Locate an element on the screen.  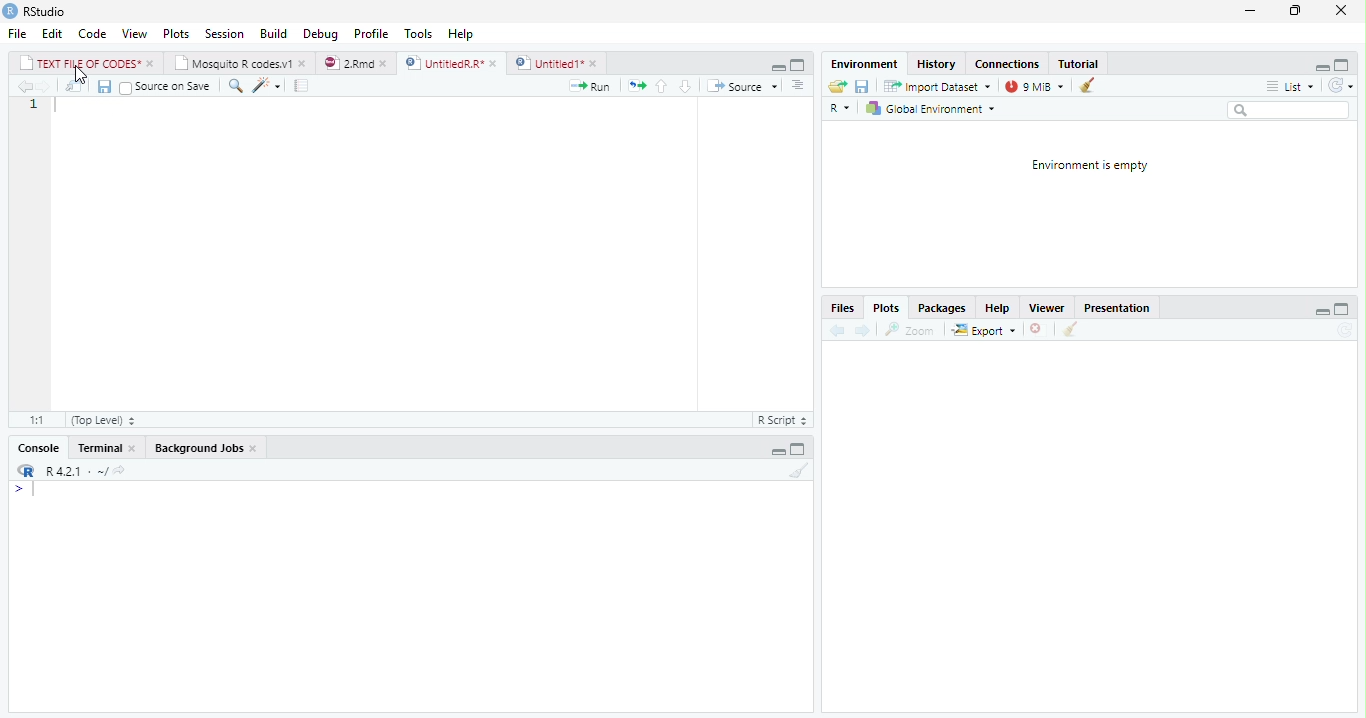
minimize is located at coordinates (1249, 13).